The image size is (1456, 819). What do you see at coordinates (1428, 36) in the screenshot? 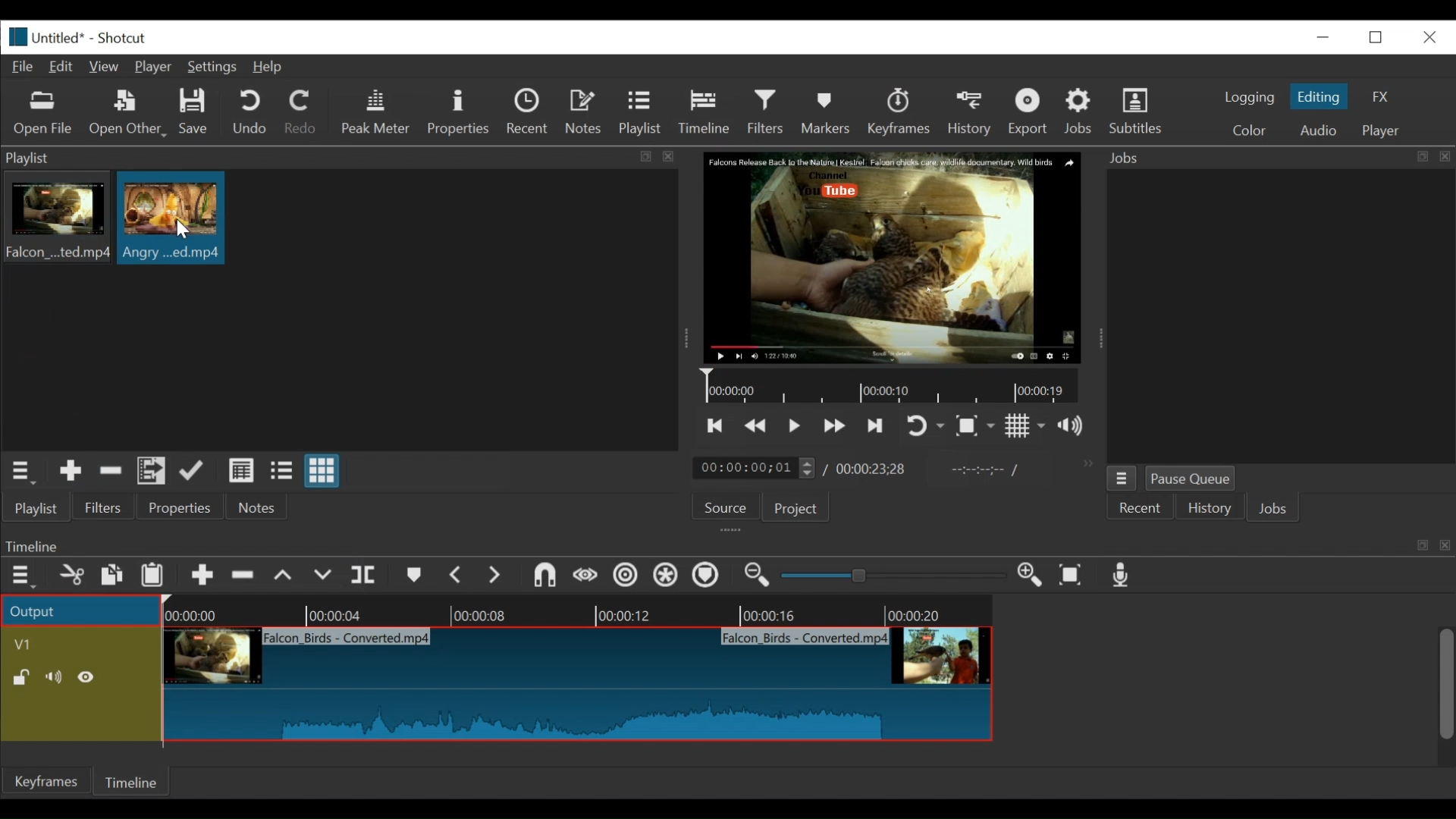
I see `close` at bounding box center [1428, 36].